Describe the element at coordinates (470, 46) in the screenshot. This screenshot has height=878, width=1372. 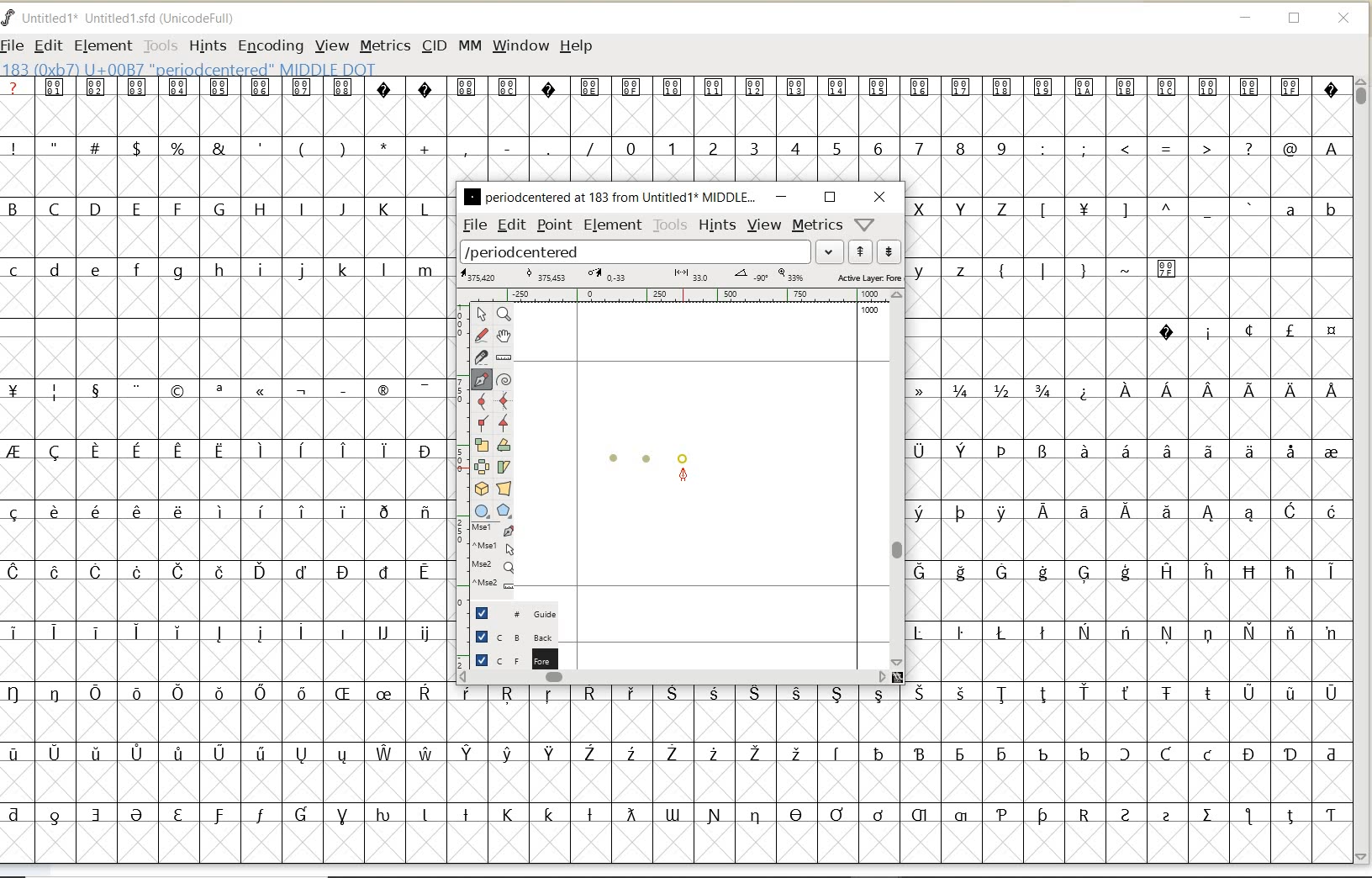
I see `MM` at that location.